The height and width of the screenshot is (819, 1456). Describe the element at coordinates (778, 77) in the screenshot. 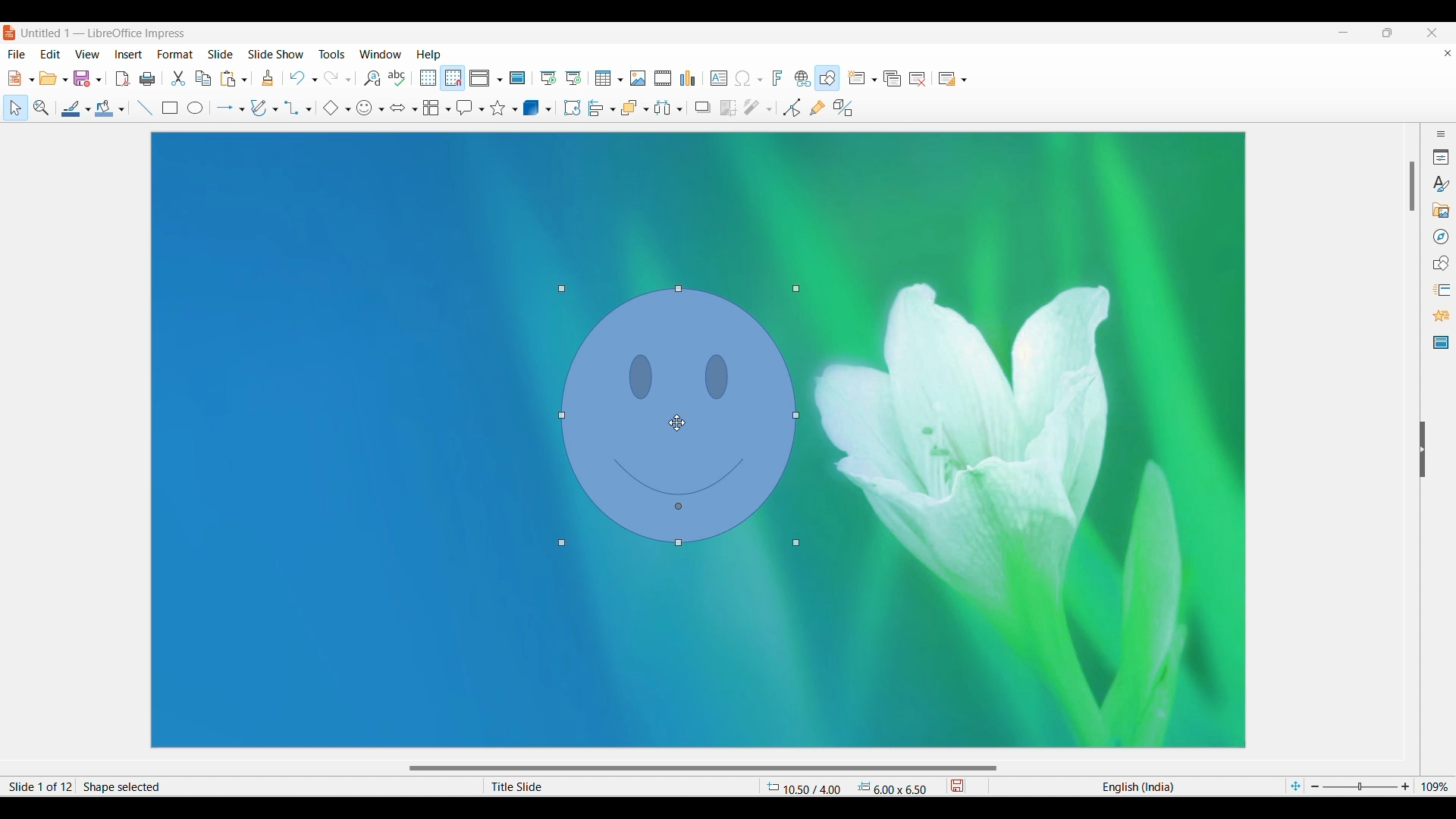

I see `Insert fontwork text` at that location.